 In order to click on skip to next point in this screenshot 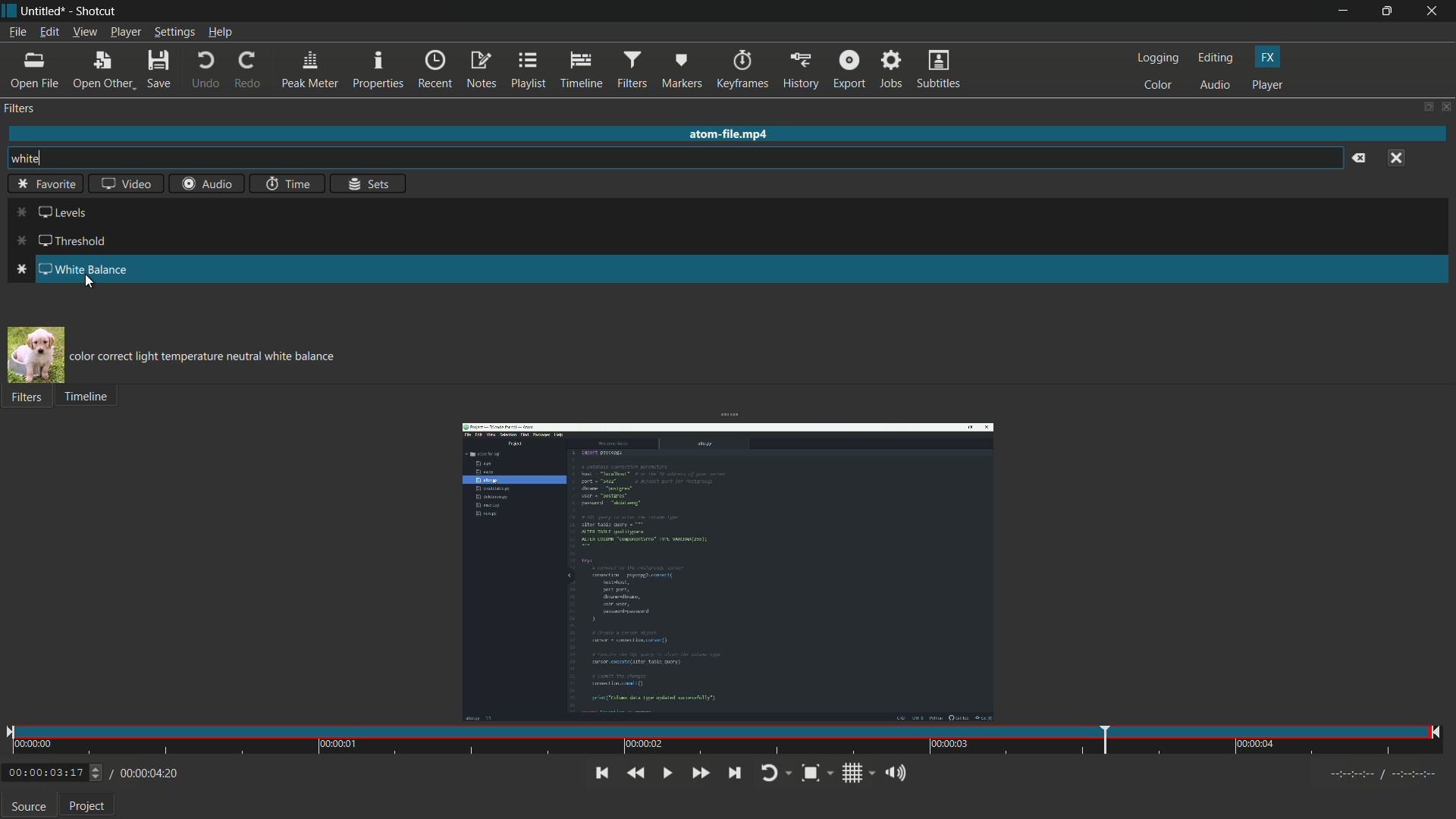, I will do `click(734, 773)`.